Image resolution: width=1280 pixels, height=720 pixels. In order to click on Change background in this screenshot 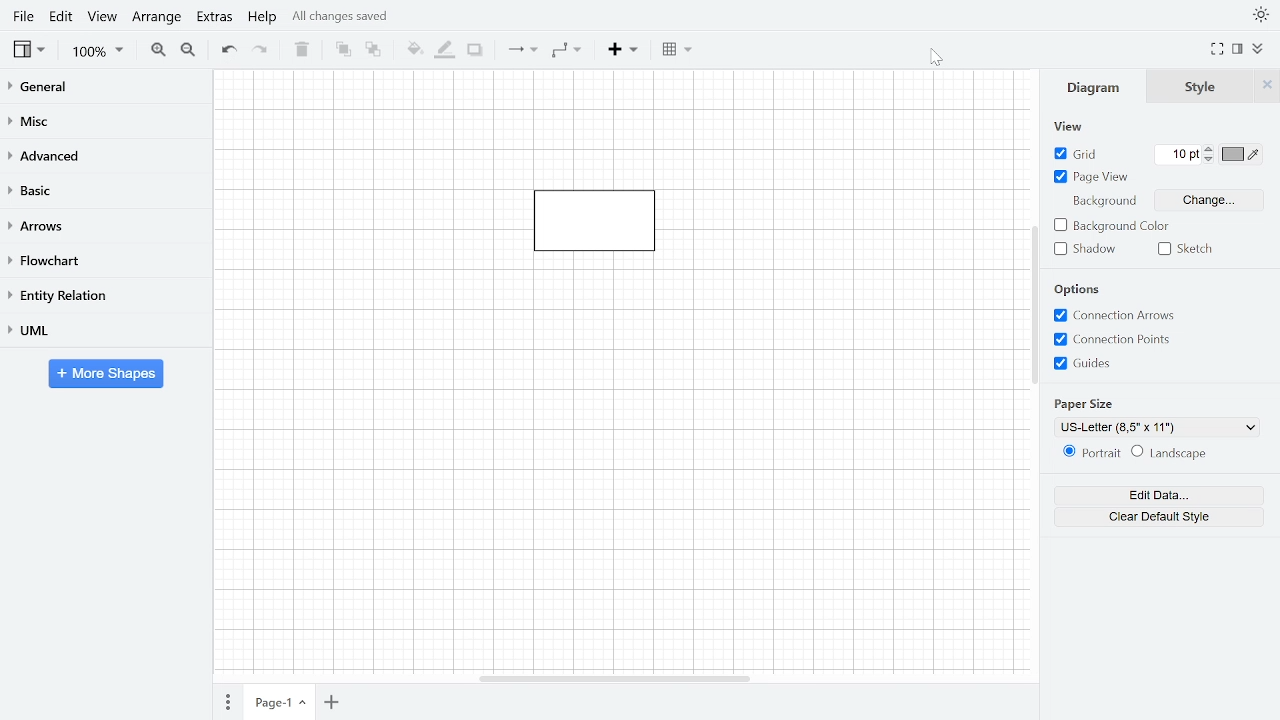, I will do `click(1208, 200)`.